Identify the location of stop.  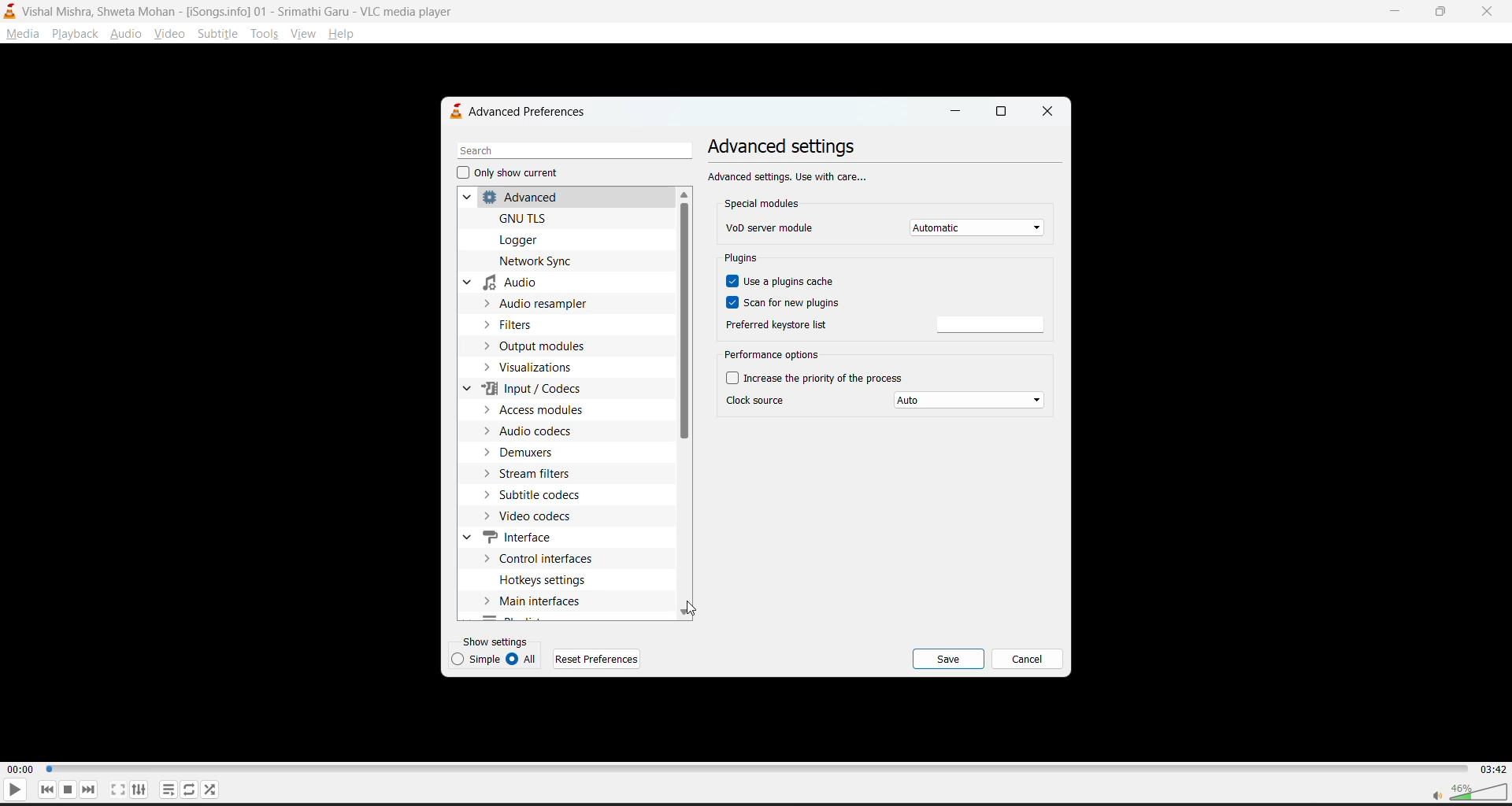
(65, 788).